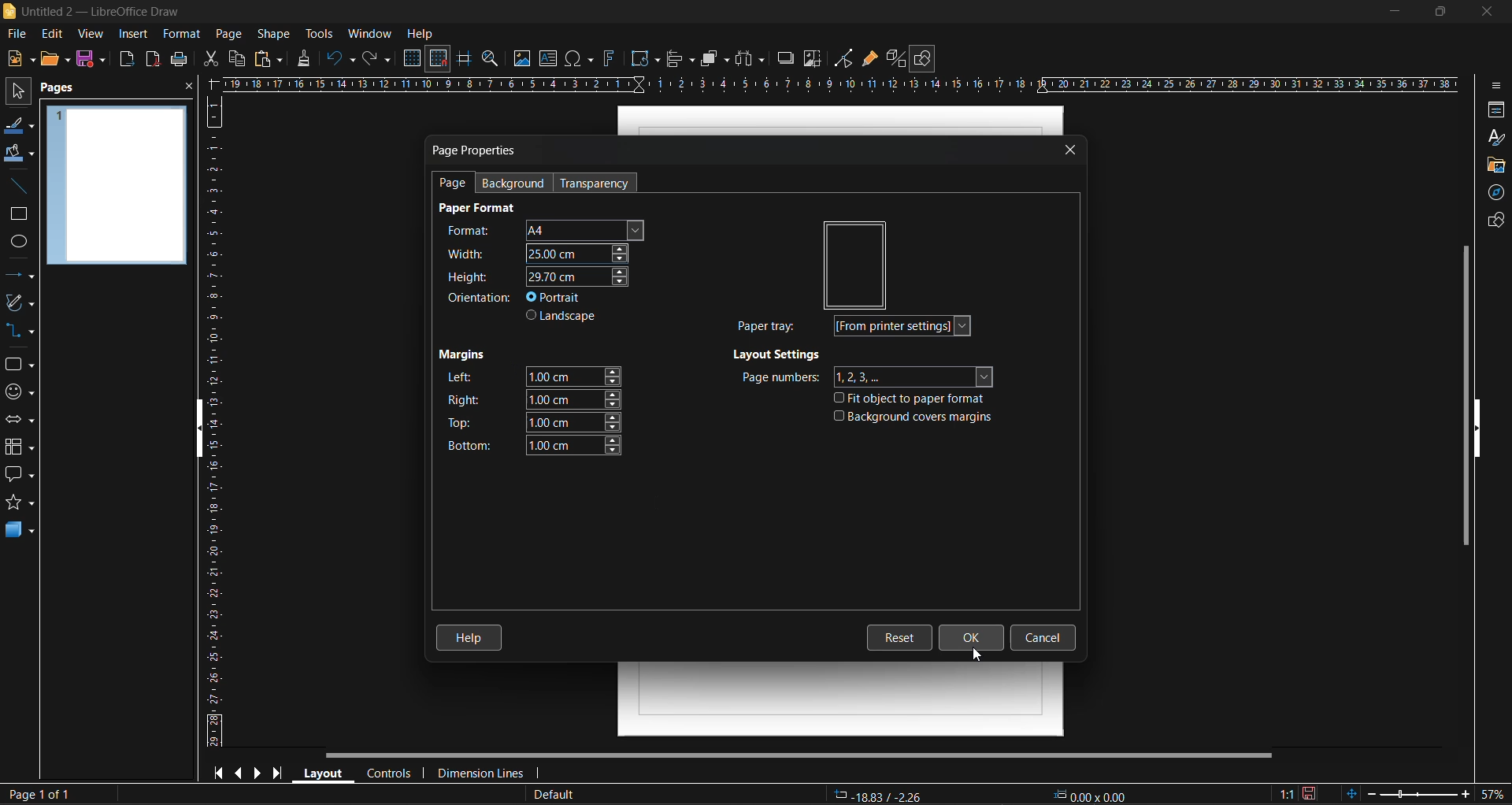 This screenshot has width=1512, height=805. Describe the element at coordinates (1351, 793) in the screenshot. I see `fit page to current window` at that location.